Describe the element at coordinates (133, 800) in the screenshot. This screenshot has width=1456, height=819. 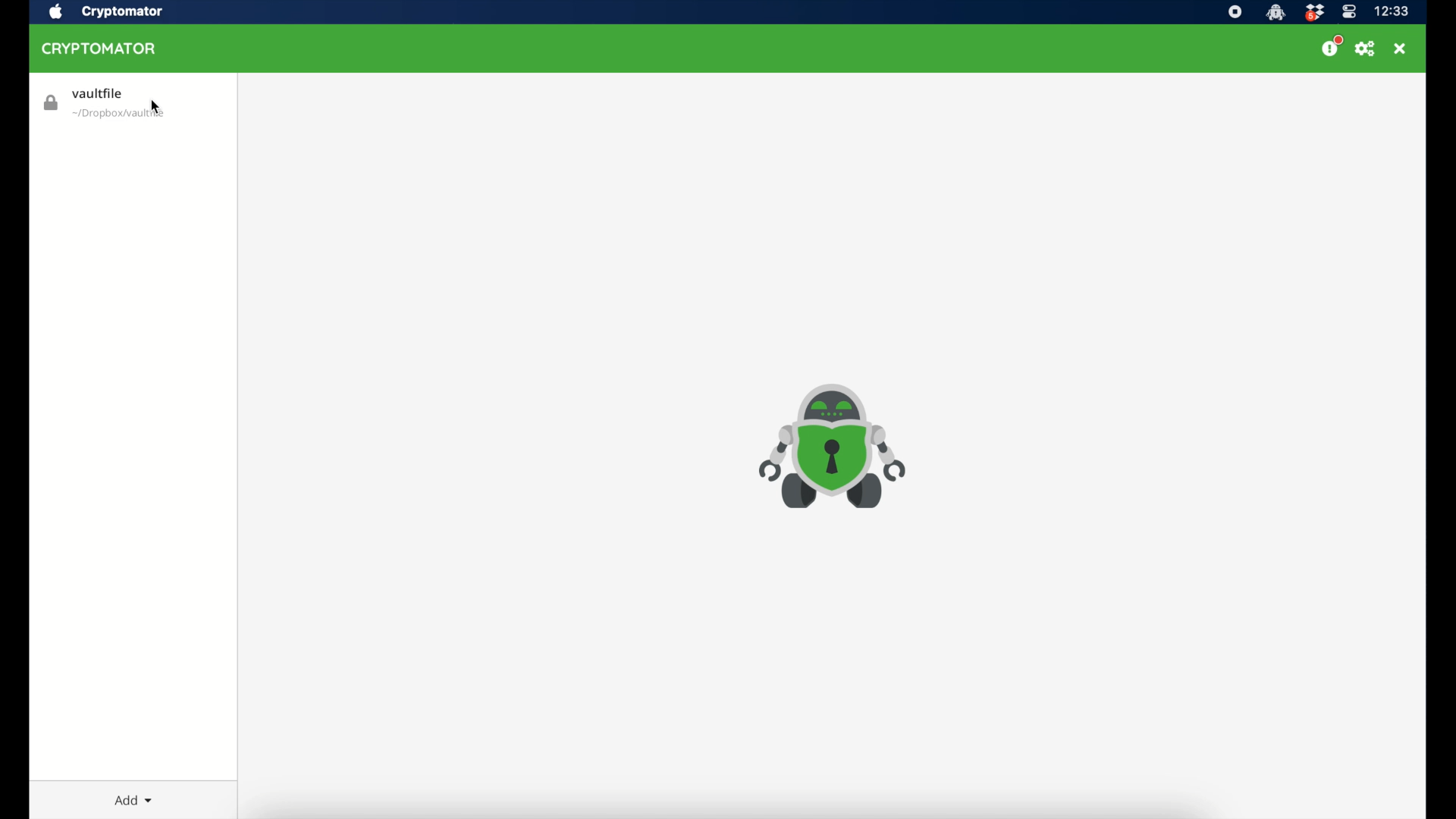
I see `add` at that location.